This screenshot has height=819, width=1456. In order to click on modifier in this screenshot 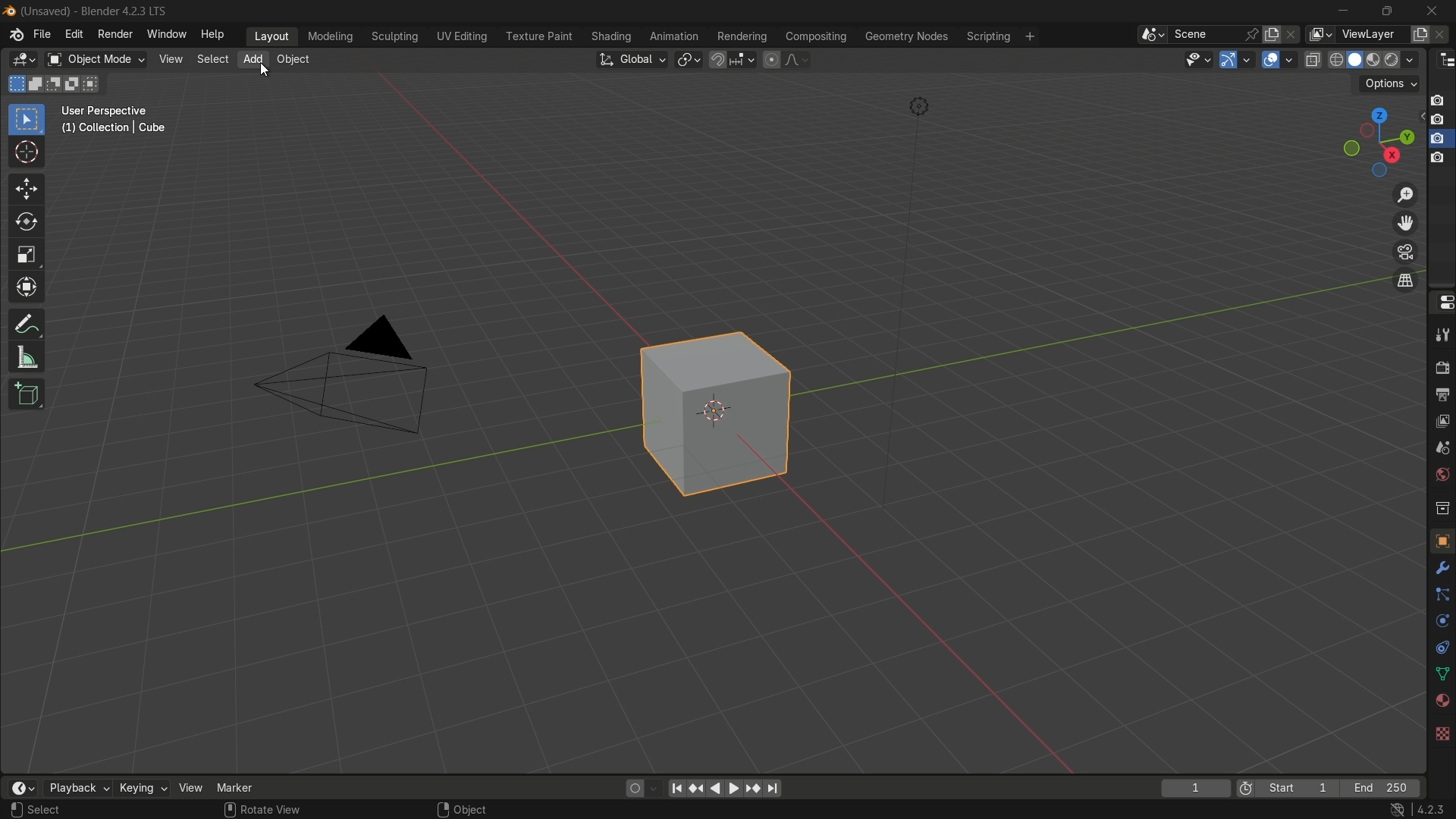, I will do `click(1439, 568)`.